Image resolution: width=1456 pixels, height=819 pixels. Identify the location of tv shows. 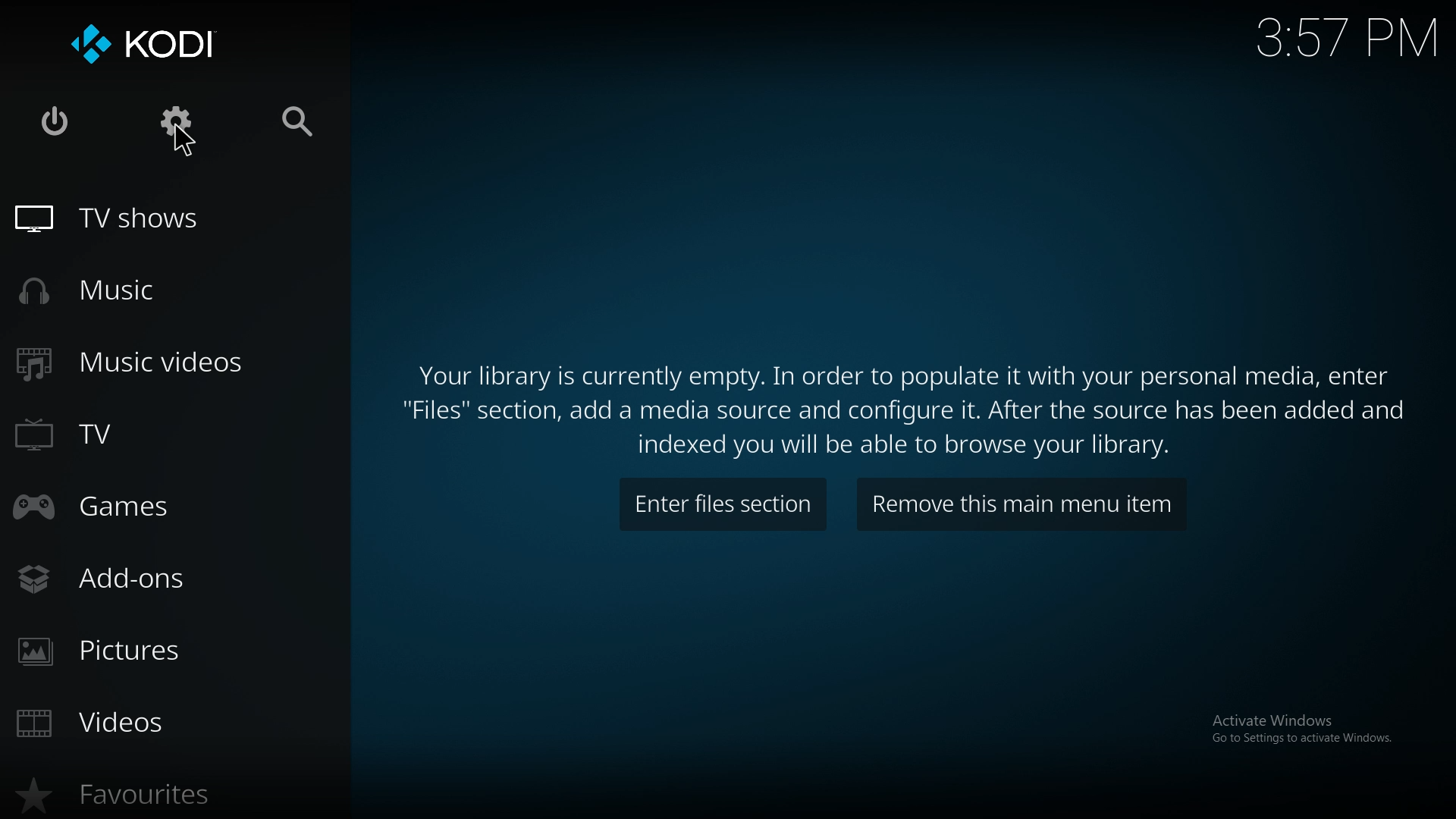
(118, 219).